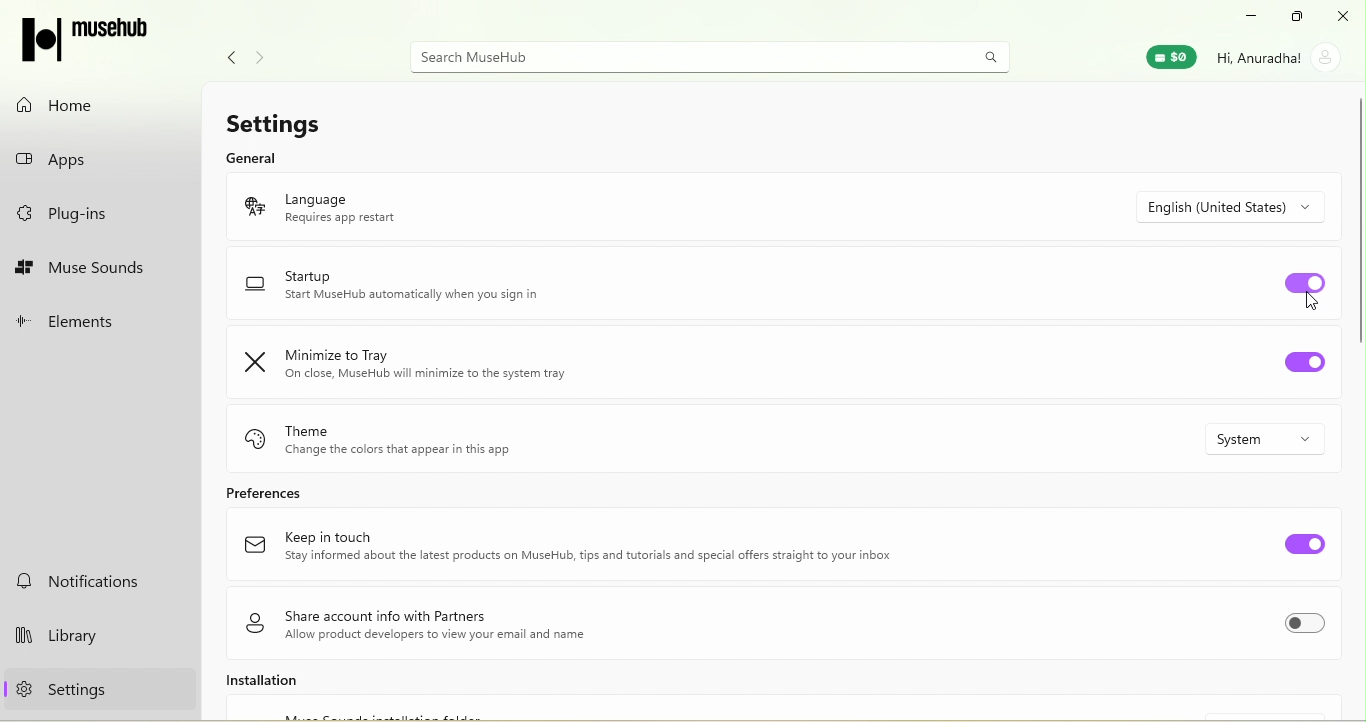 The height and width of the screenshot is (722, 1366). Describe the element at coordinates (372, 204) in the screenshot. I see `Language` at that location.